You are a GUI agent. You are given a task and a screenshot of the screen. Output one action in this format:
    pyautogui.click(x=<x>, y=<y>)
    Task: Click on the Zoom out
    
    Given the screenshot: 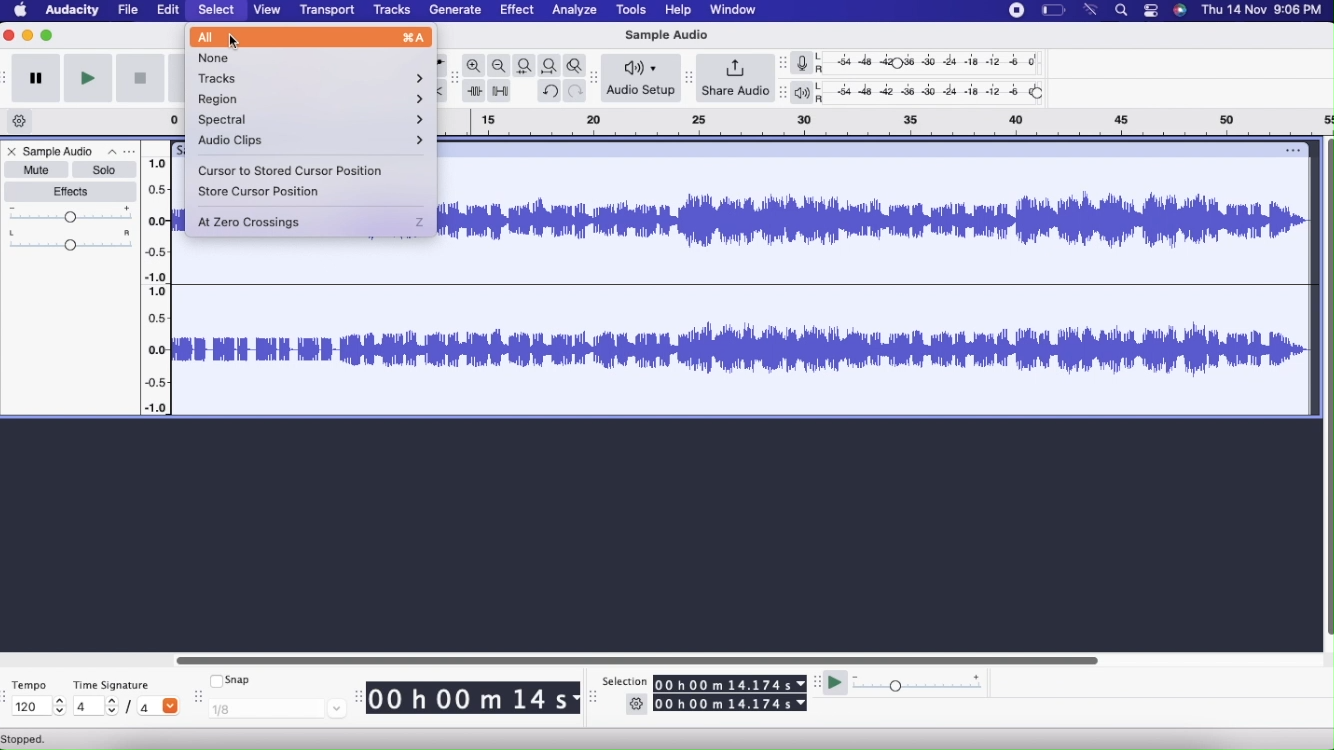 What is the action you would take?
    pyautogui.click(x=500, y=66)
    